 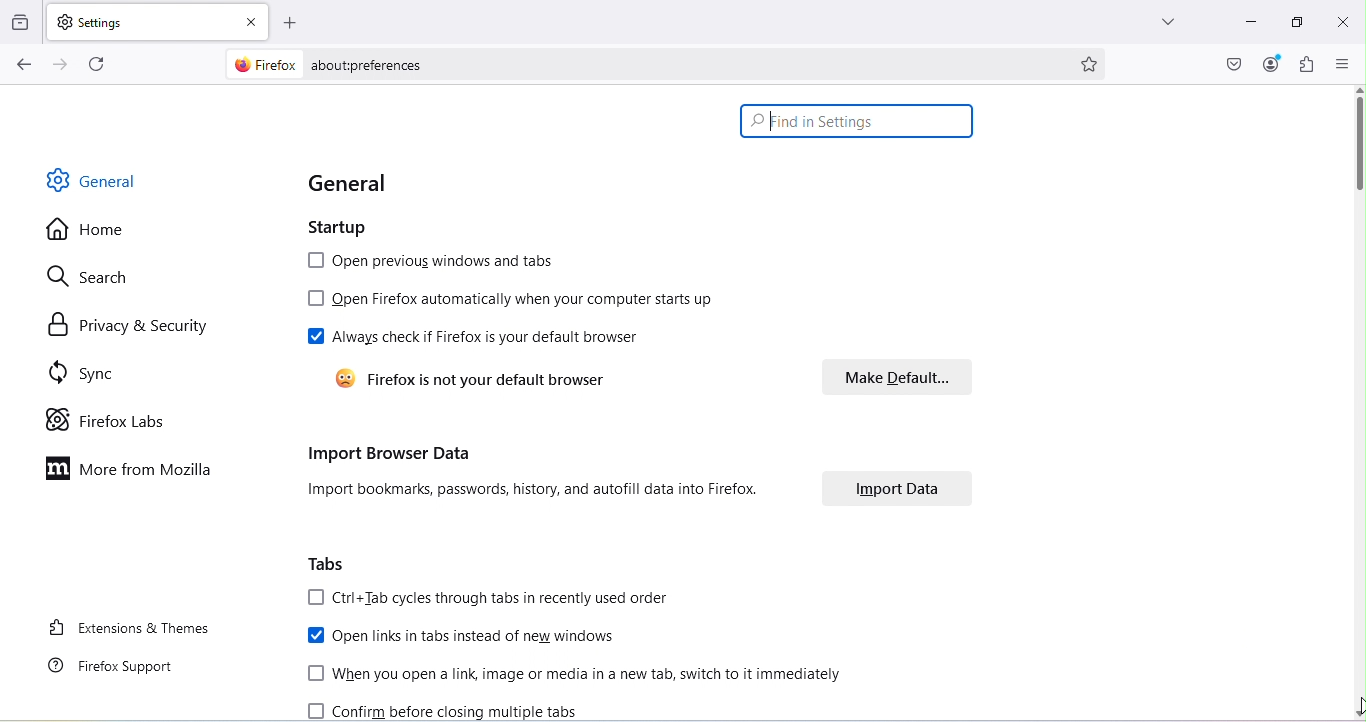 What do you see at coordinates (576, 673) in the screenshot?
I see `When you open a link, image or media in a new tab, switch to it immediately` at bounding box center [576, 673].